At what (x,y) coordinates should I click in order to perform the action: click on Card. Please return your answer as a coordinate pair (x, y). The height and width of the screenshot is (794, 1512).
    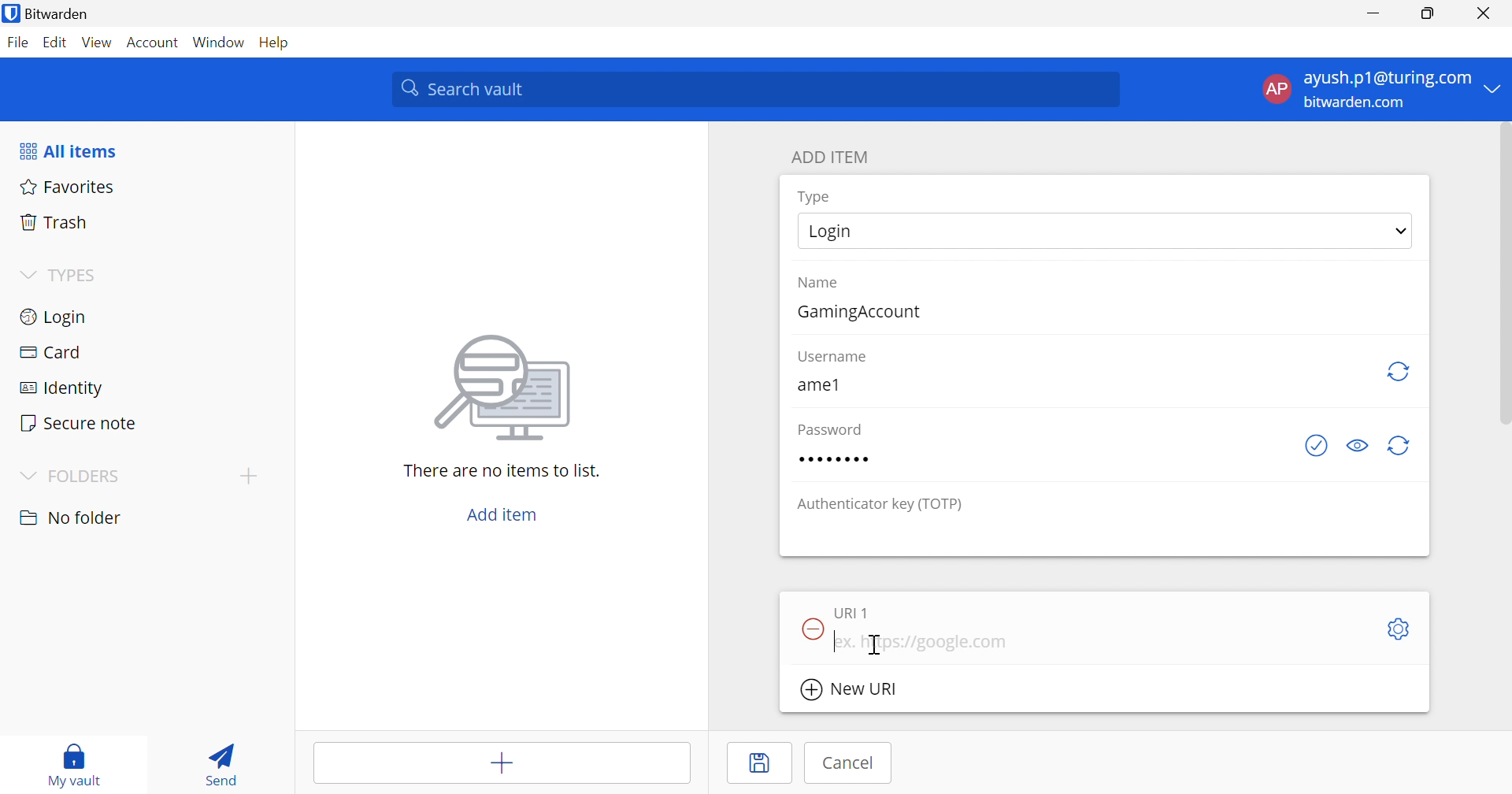
    Looking at the image, I should click on (53, 354).